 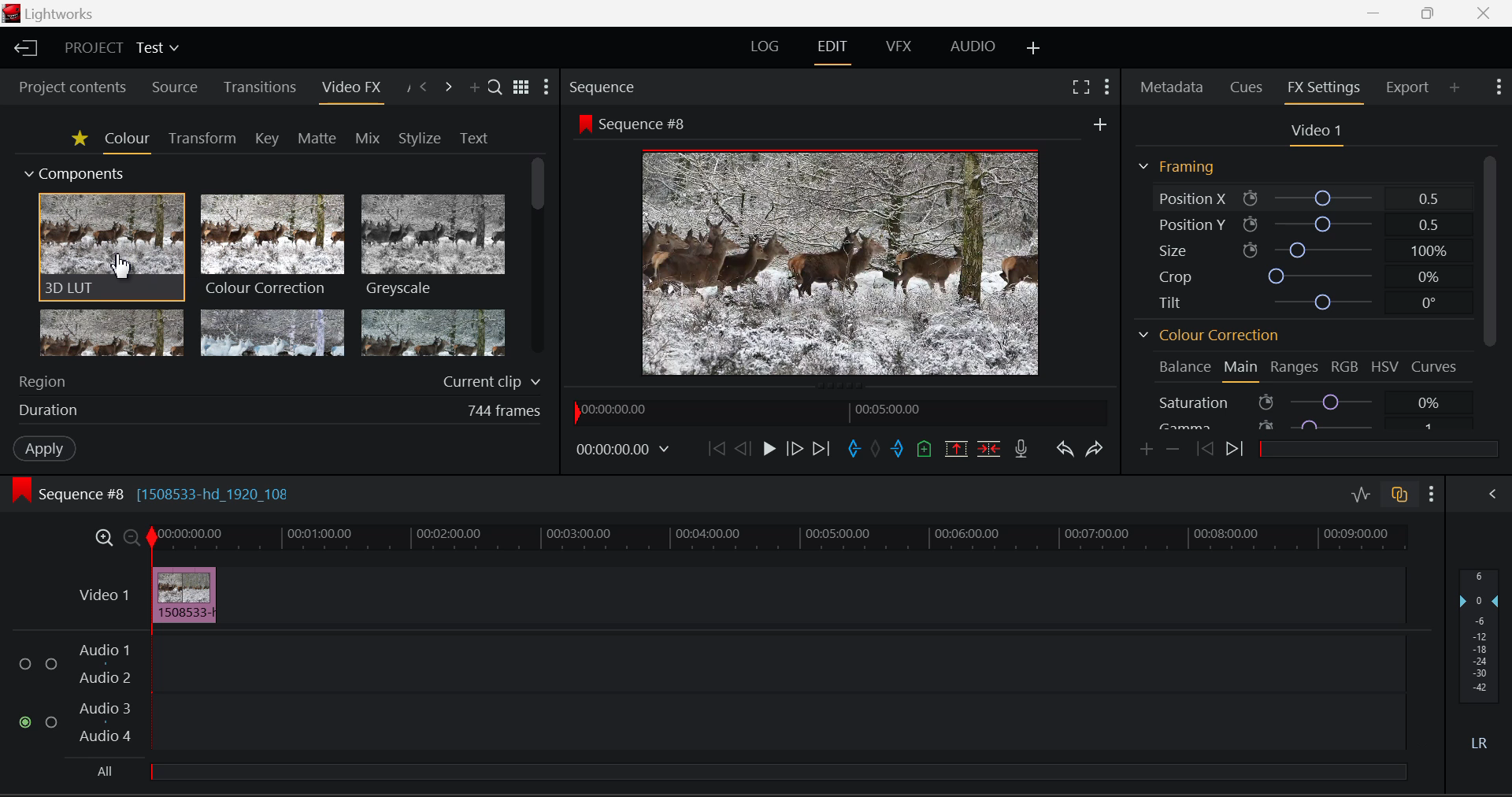 What do you see at coordinates (715, 451) in the screenshot?
I see `To Start` at bounding box center [715, 451].